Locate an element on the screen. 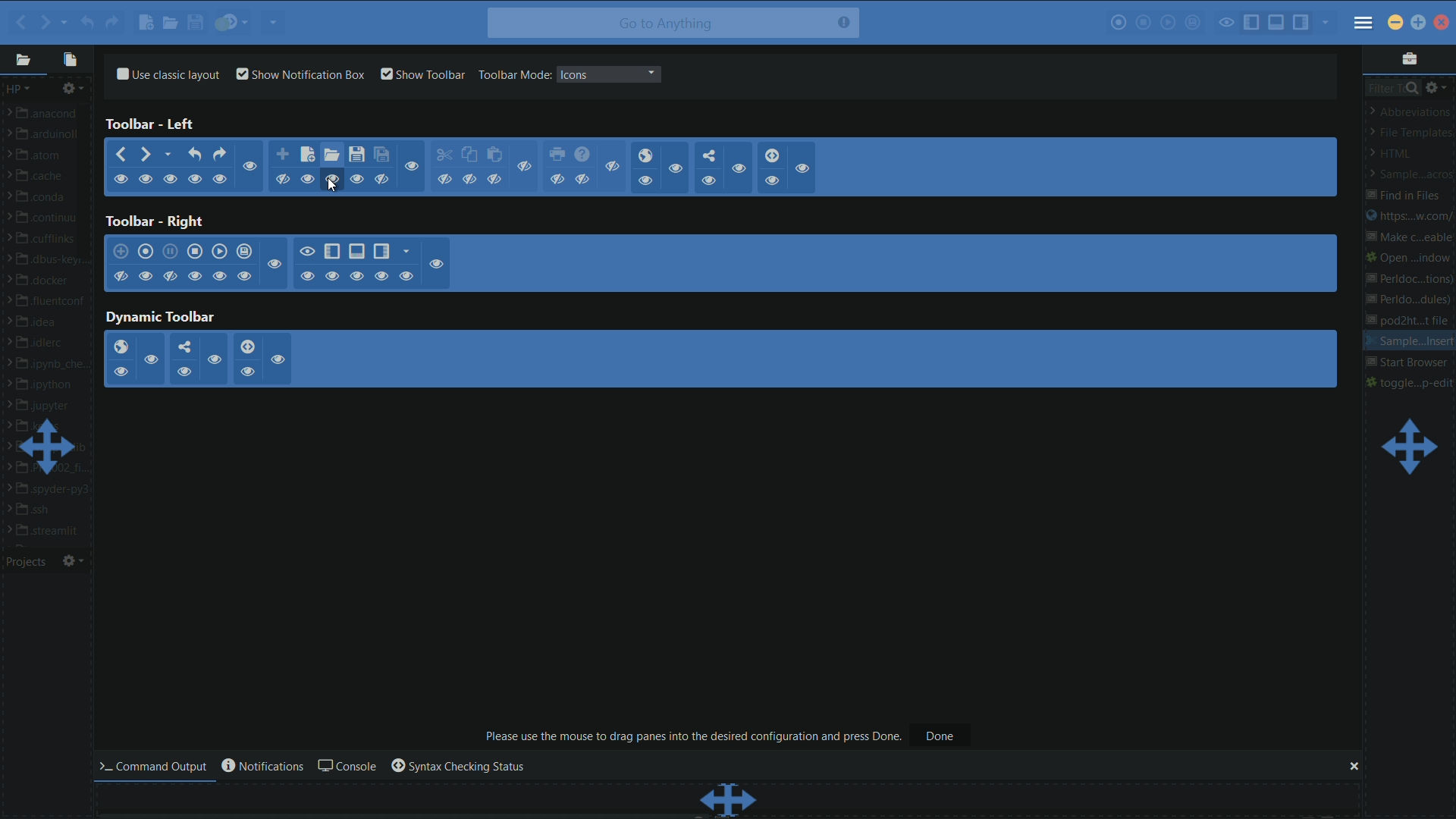 Image resolution: width=1456 pixels, height=819 pixels. hide/show is located at coordinates (308, 276).